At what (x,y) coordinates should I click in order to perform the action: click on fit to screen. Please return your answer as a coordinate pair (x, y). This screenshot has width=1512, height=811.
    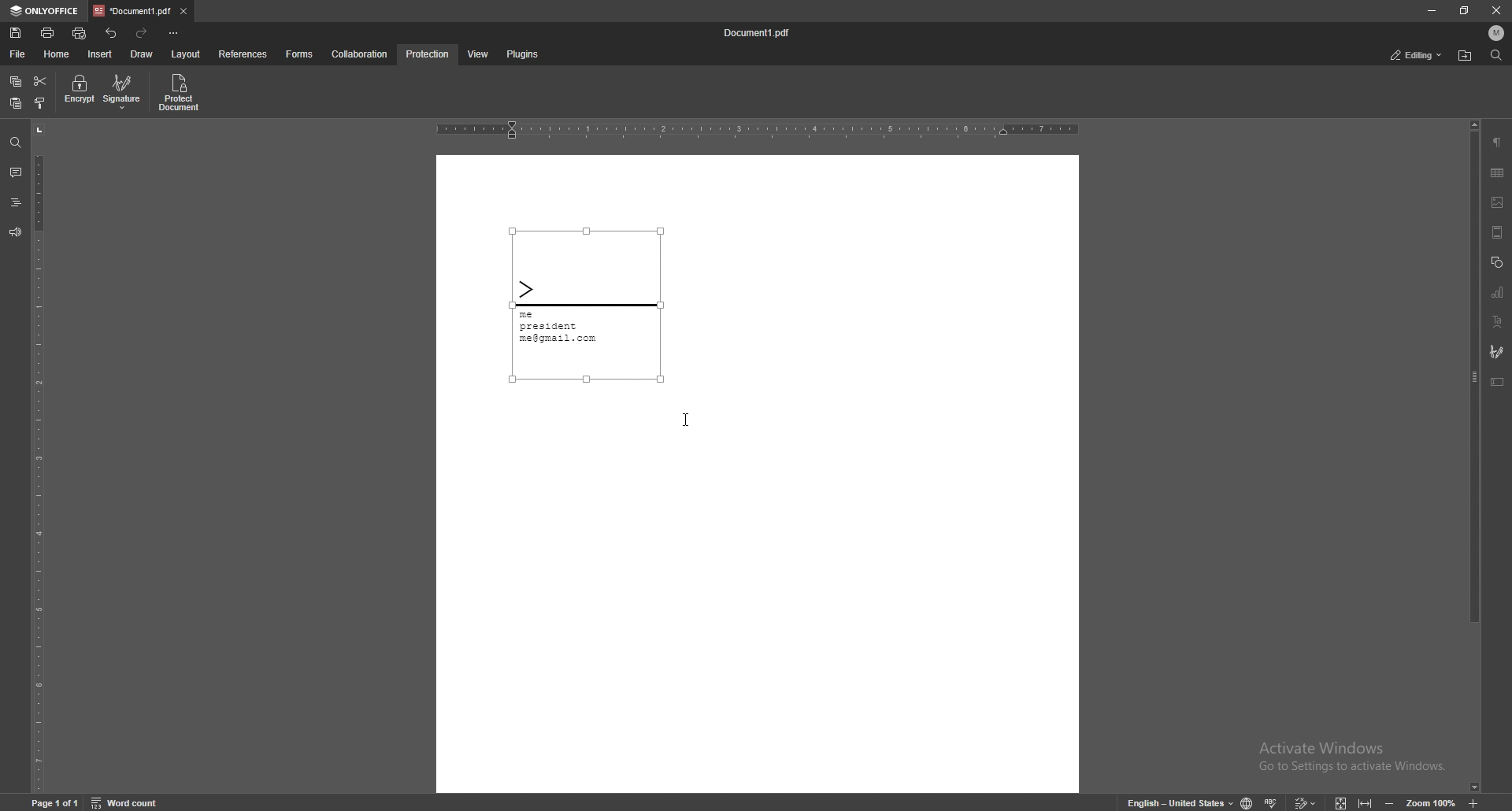
    Looking at the image, I should click on (1336, 801).